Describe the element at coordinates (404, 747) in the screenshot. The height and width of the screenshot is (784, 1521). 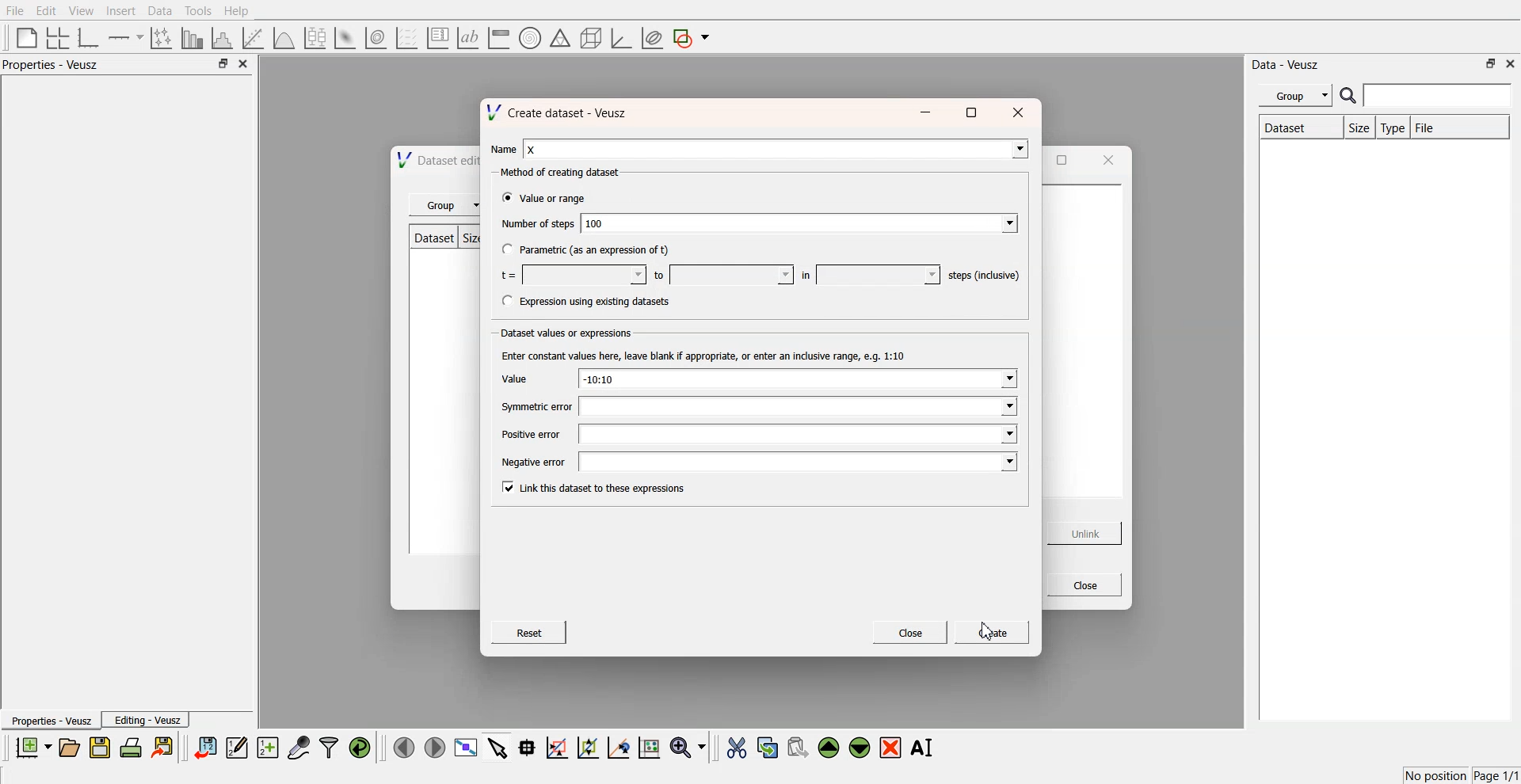
I see `move left` at that location.